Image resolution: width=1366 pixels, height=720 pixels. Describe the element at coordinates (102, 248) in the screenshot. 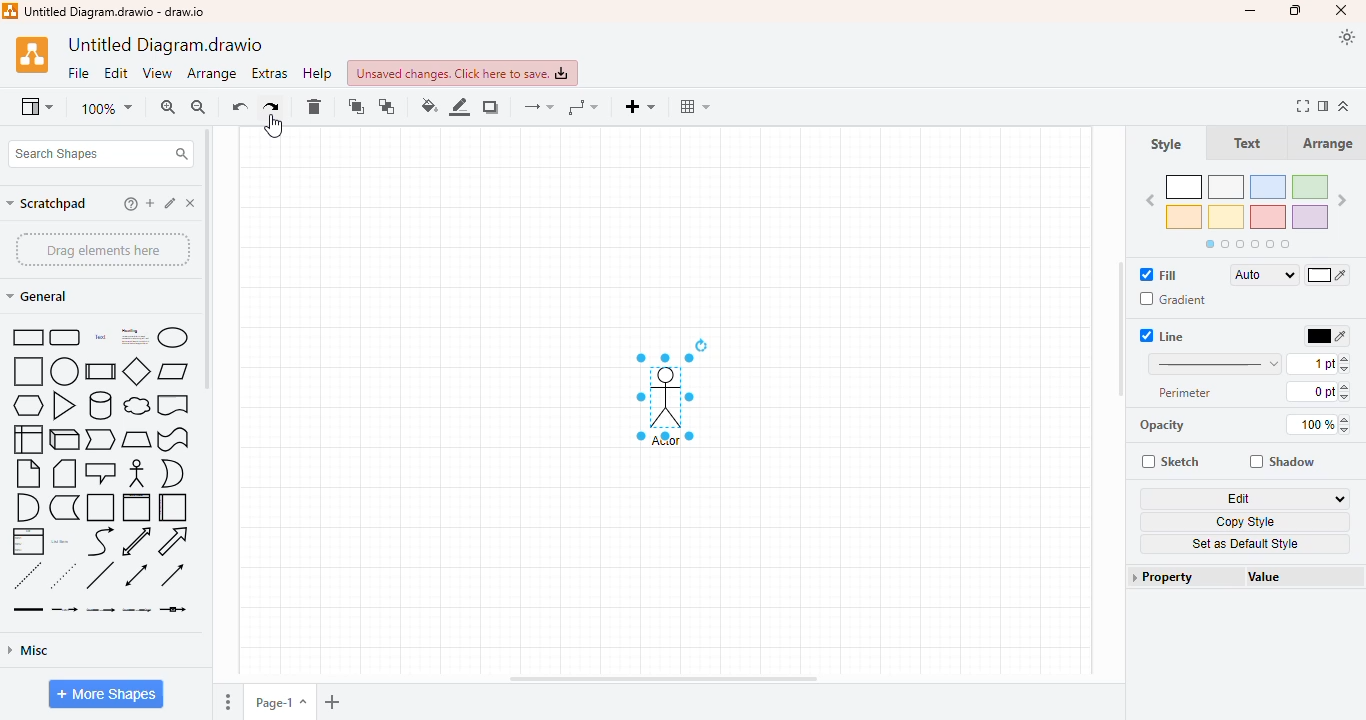

I see `drag elements here` at that location.